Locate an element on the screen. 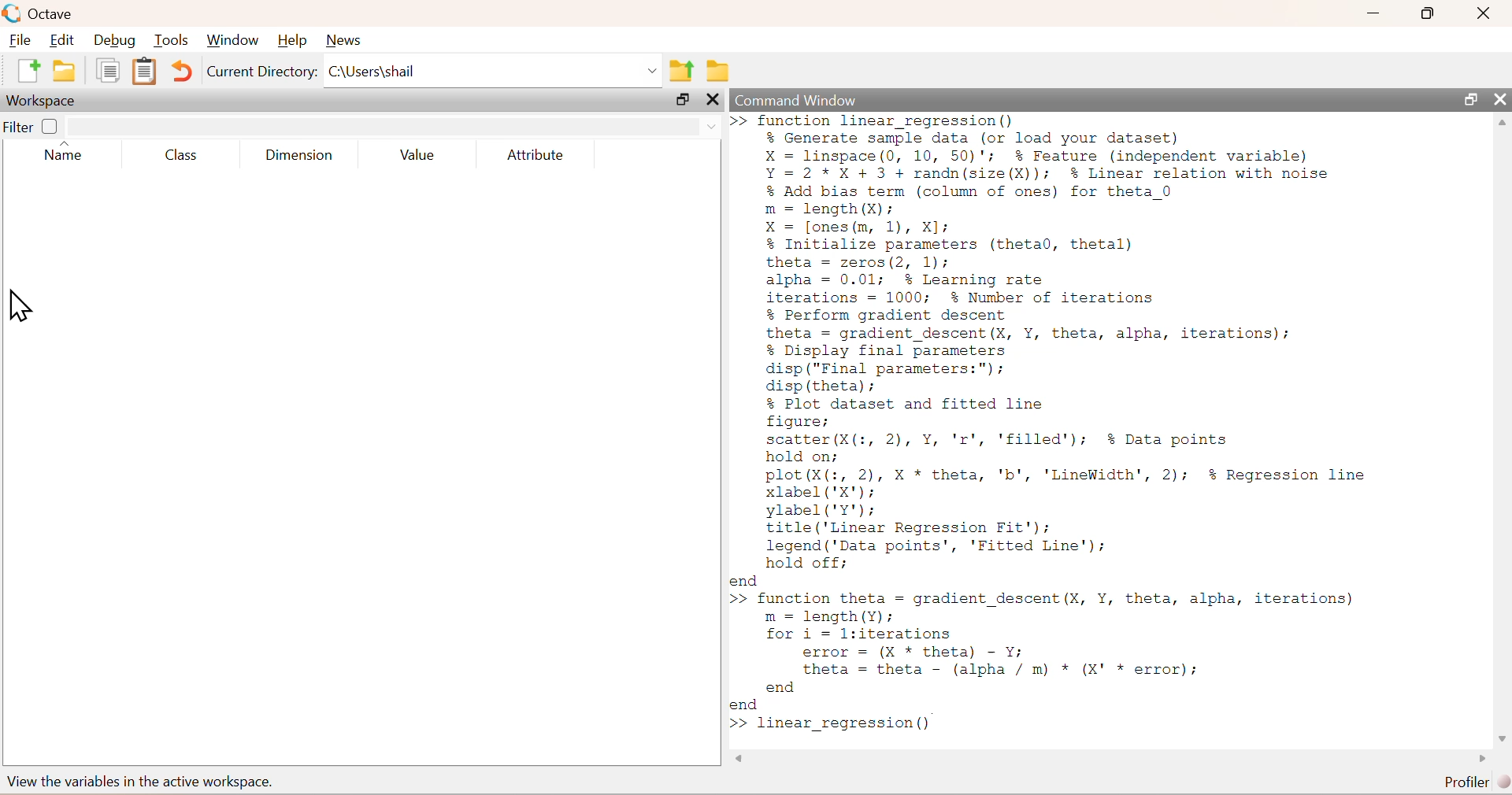 The width and height of the screenshot is (1512, 795). Window is located at coordinates (234, 39).